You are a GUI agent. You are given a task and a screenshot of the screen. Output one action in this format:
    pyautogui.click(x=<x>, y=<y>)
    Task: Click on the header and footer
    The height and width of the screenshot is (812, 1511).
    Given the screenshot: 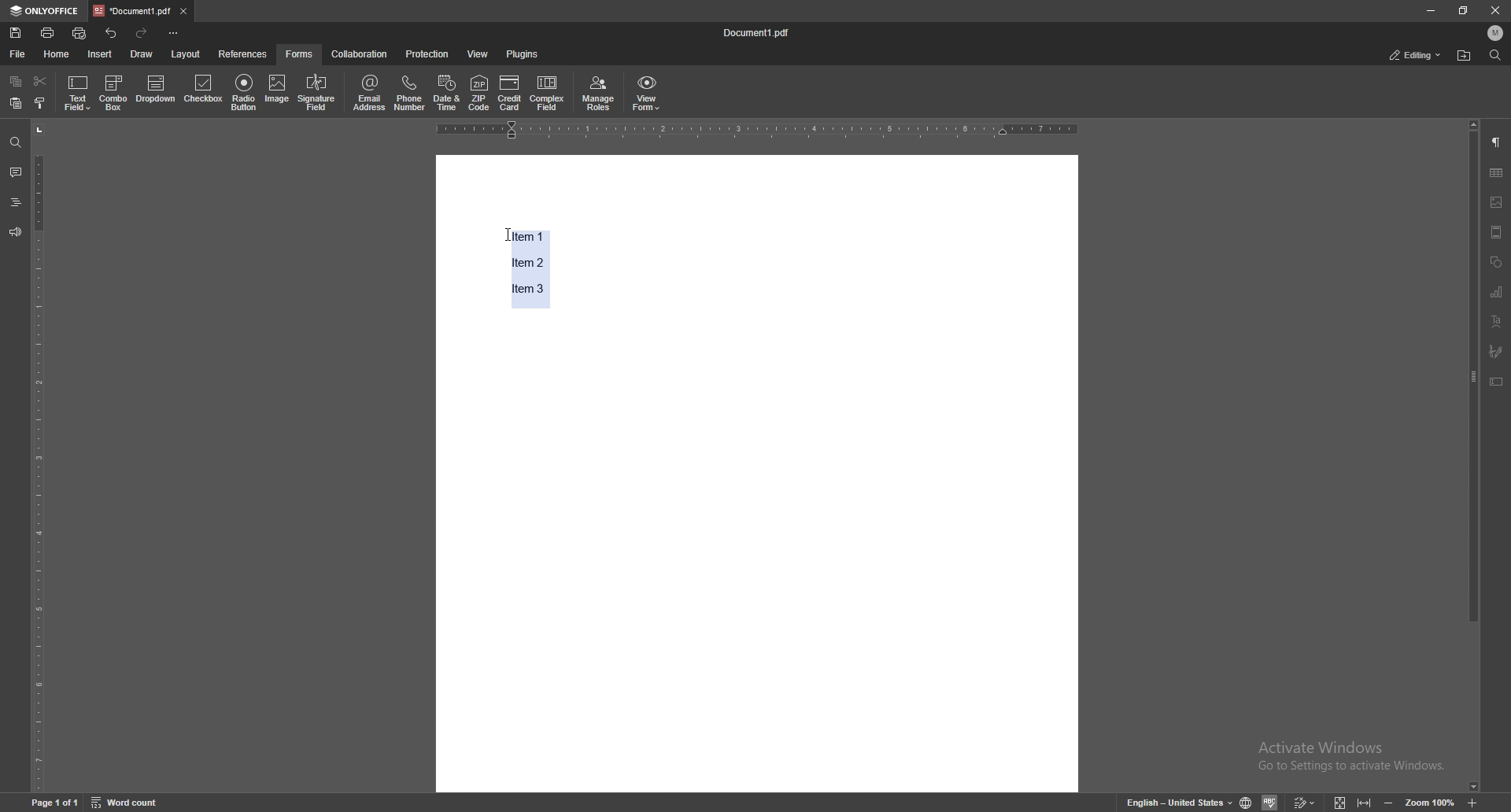 What is the action you would take?
    pyautogui.click(x=1497, y=231)
    